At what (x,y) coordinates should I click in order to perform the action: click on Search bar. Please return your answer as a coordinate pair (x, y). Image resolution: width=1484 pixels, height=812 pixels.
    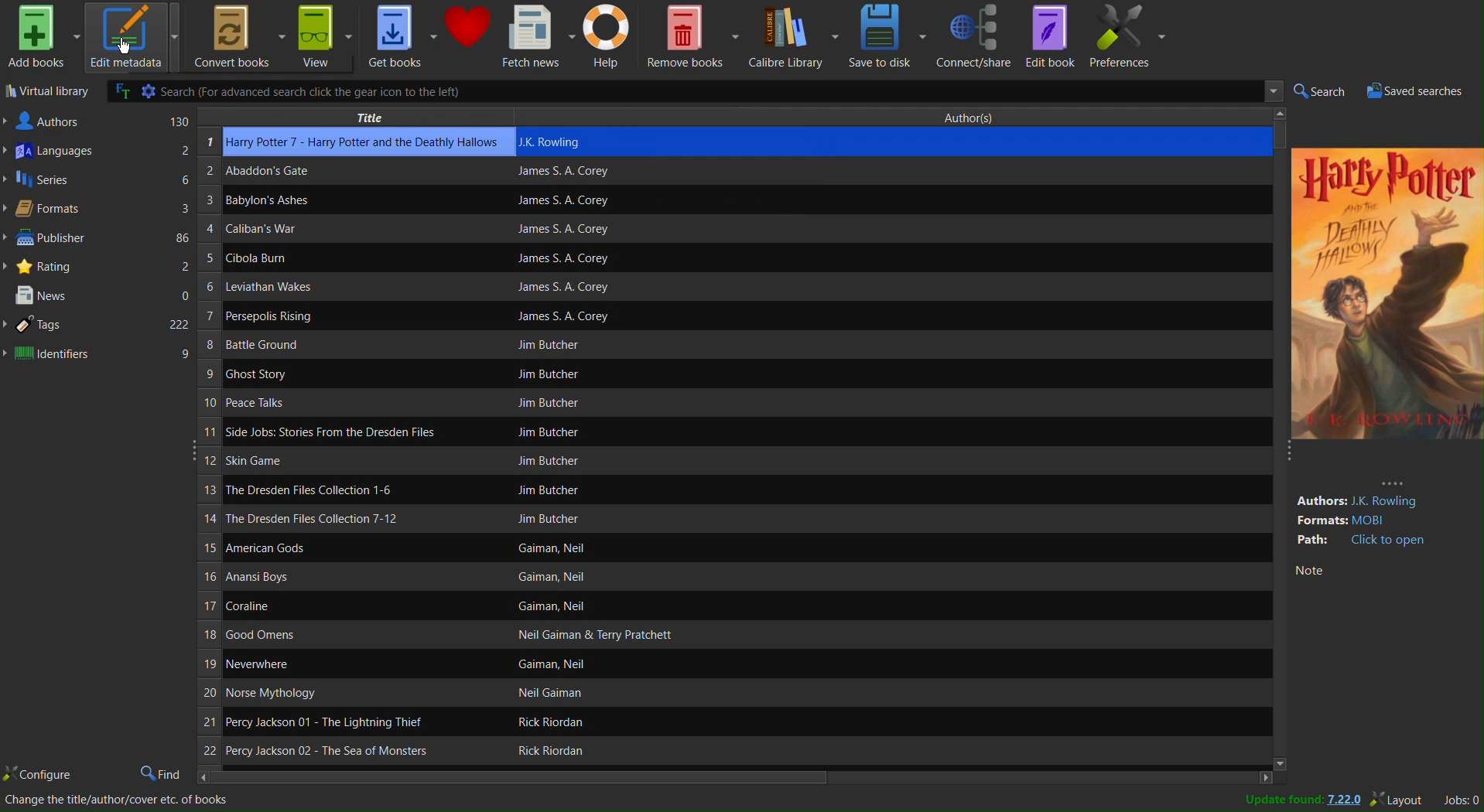
    Looking at the image, I should click on (684, 90).